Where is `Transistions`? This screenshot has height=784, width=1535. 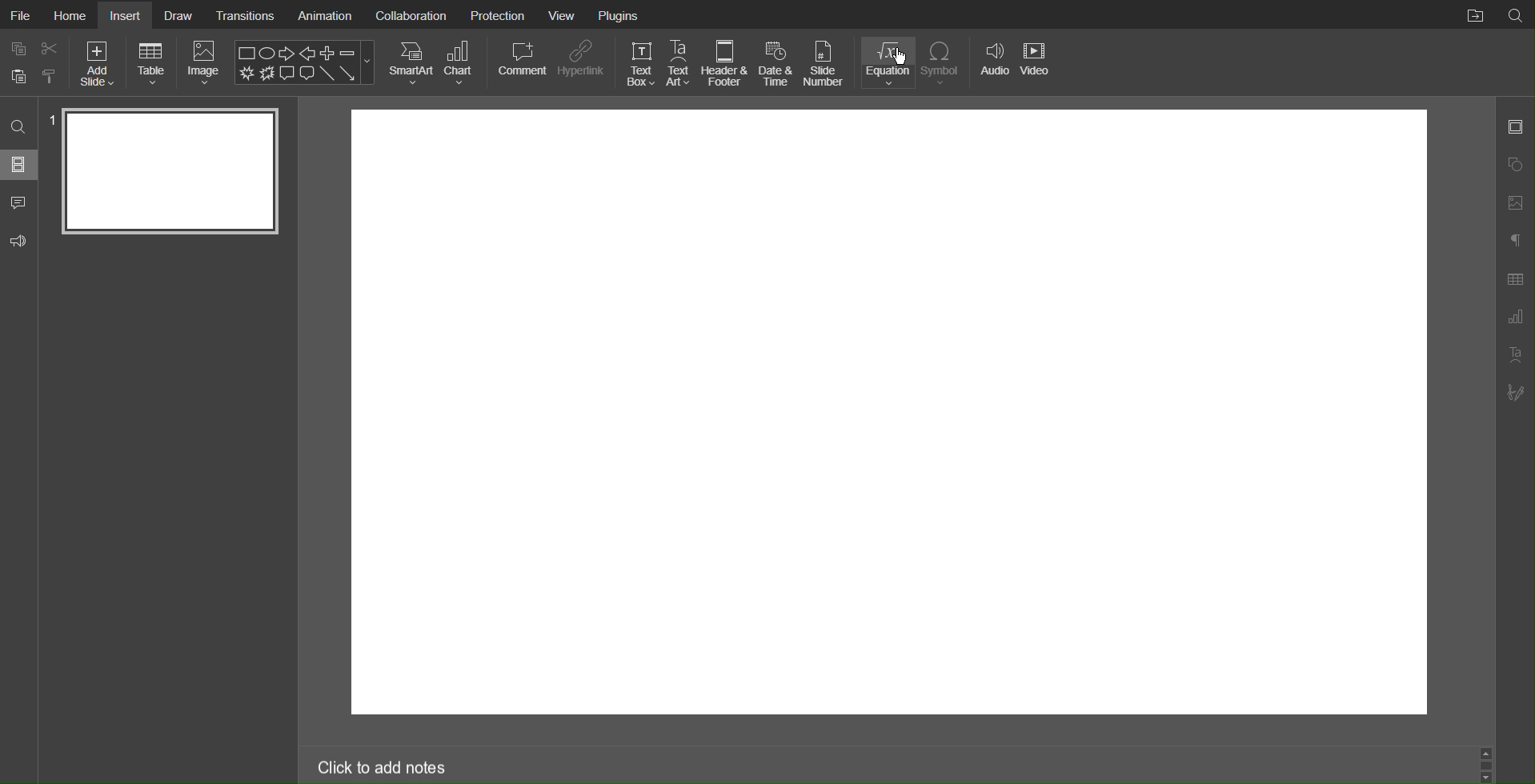
Transistions is located at coordinates (246, 15).